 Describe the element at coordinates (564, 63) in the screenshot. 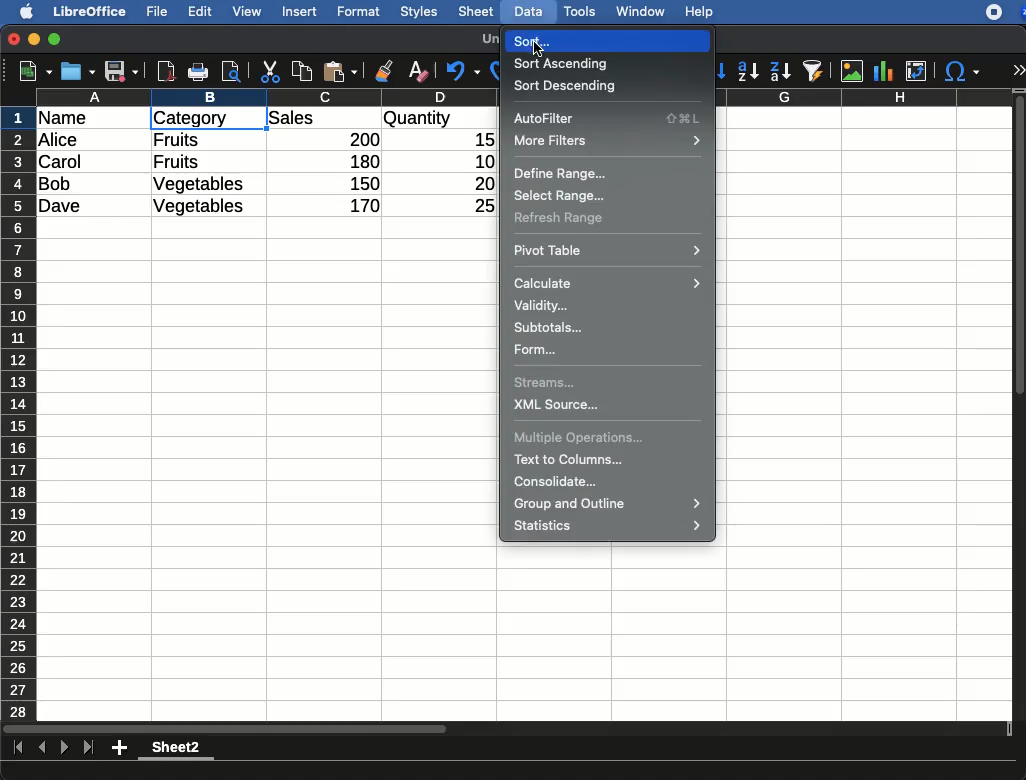

I see `sort ascending` at that location.